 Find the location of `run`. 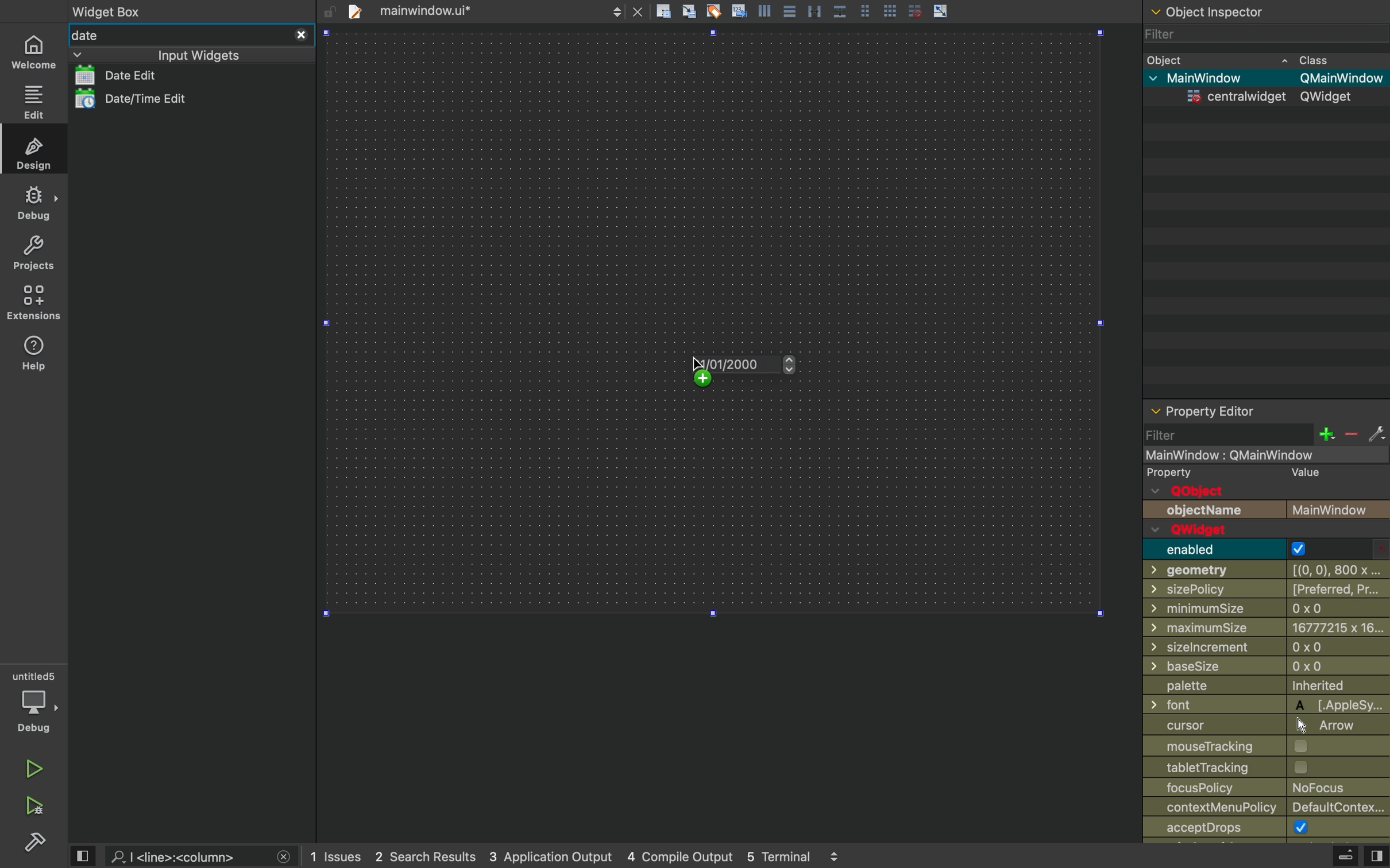

run is located at coordinates (34, 768).